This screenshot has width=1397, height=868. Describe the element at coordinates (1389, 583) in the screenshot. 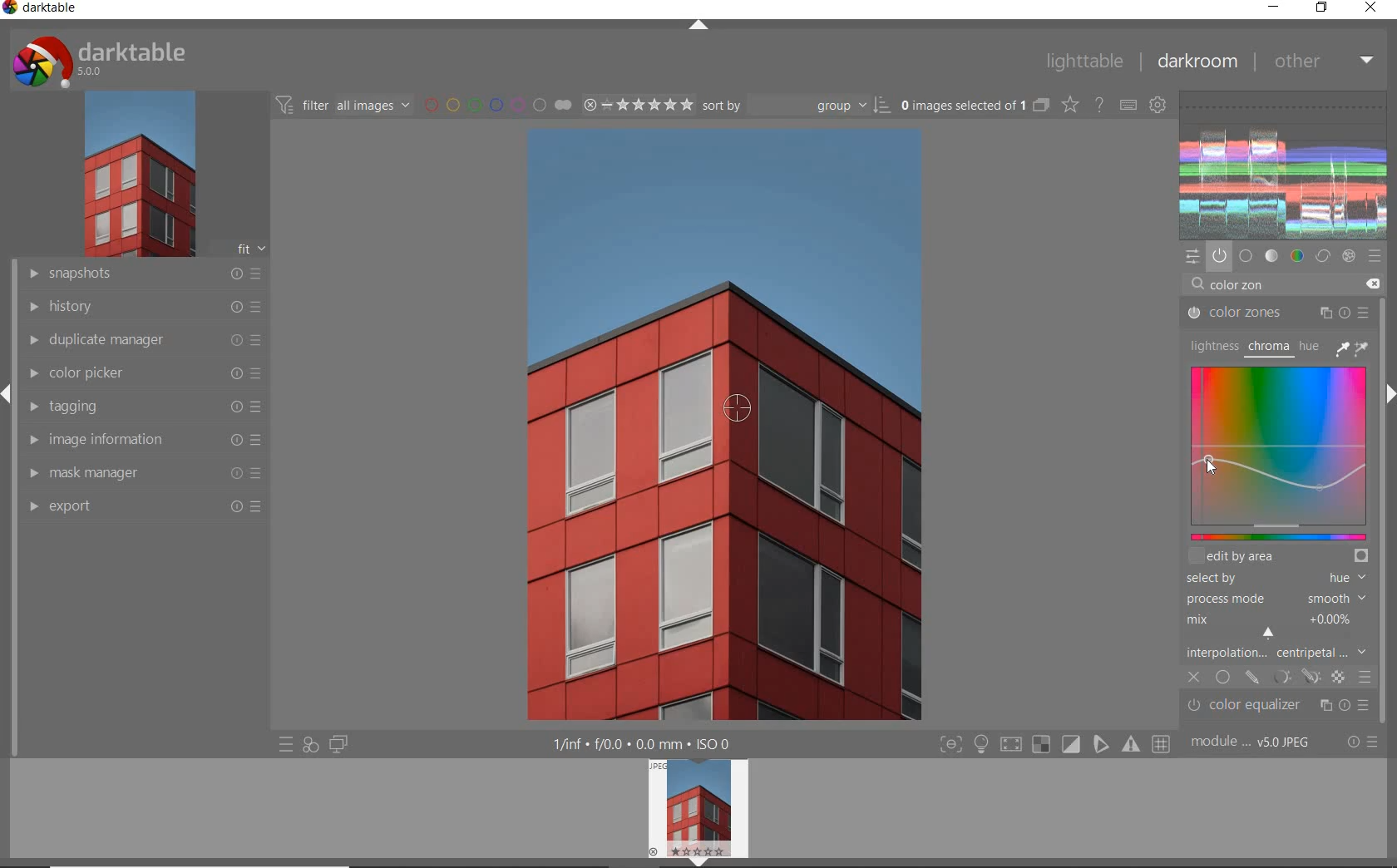

I see `scrollbar` at that location.